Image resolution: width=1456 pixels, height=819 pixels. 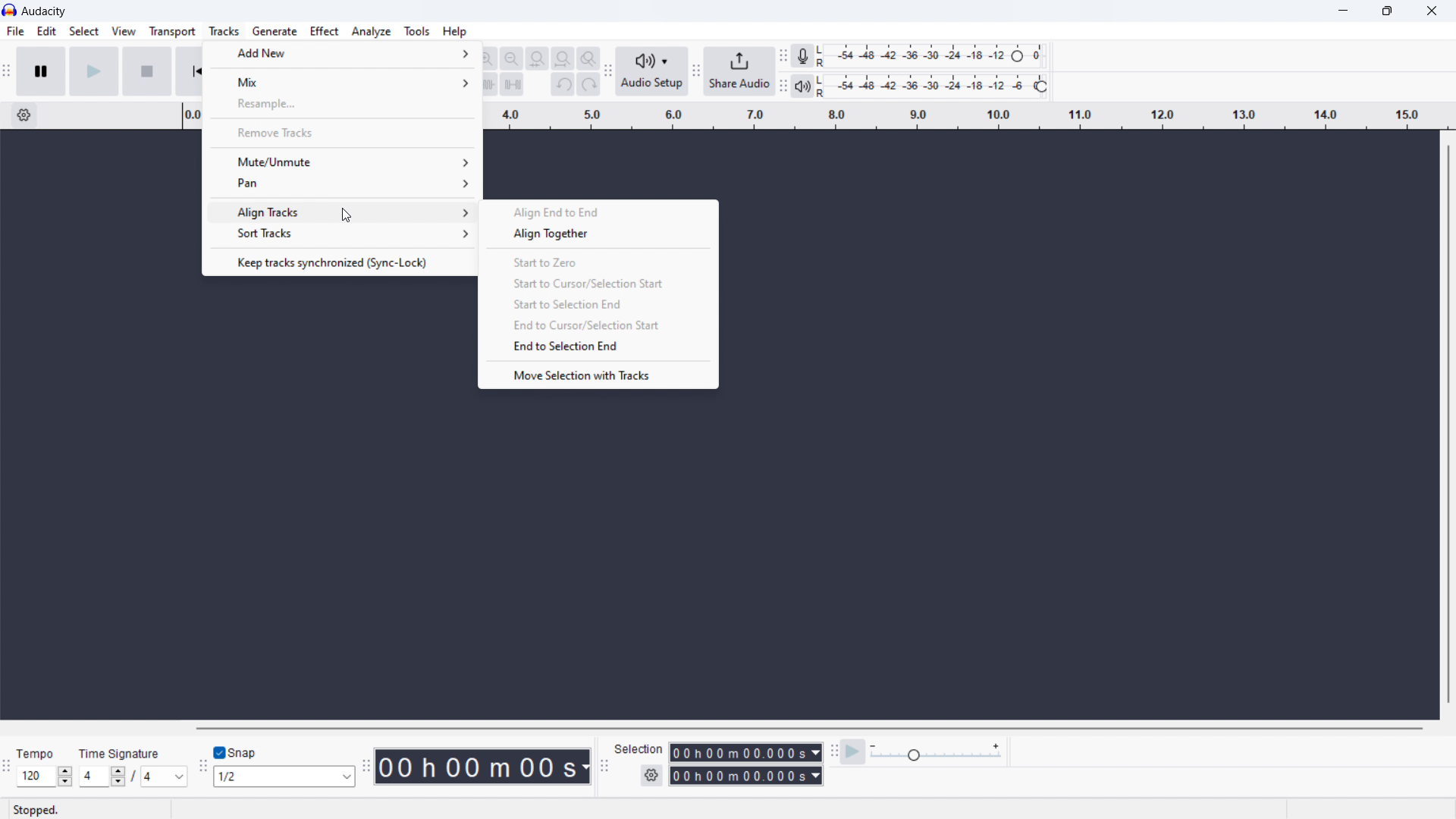 What do you see at coordinates (653, 71) in the screenshot?
I see `audio setup` at bounding box center [653, 71].